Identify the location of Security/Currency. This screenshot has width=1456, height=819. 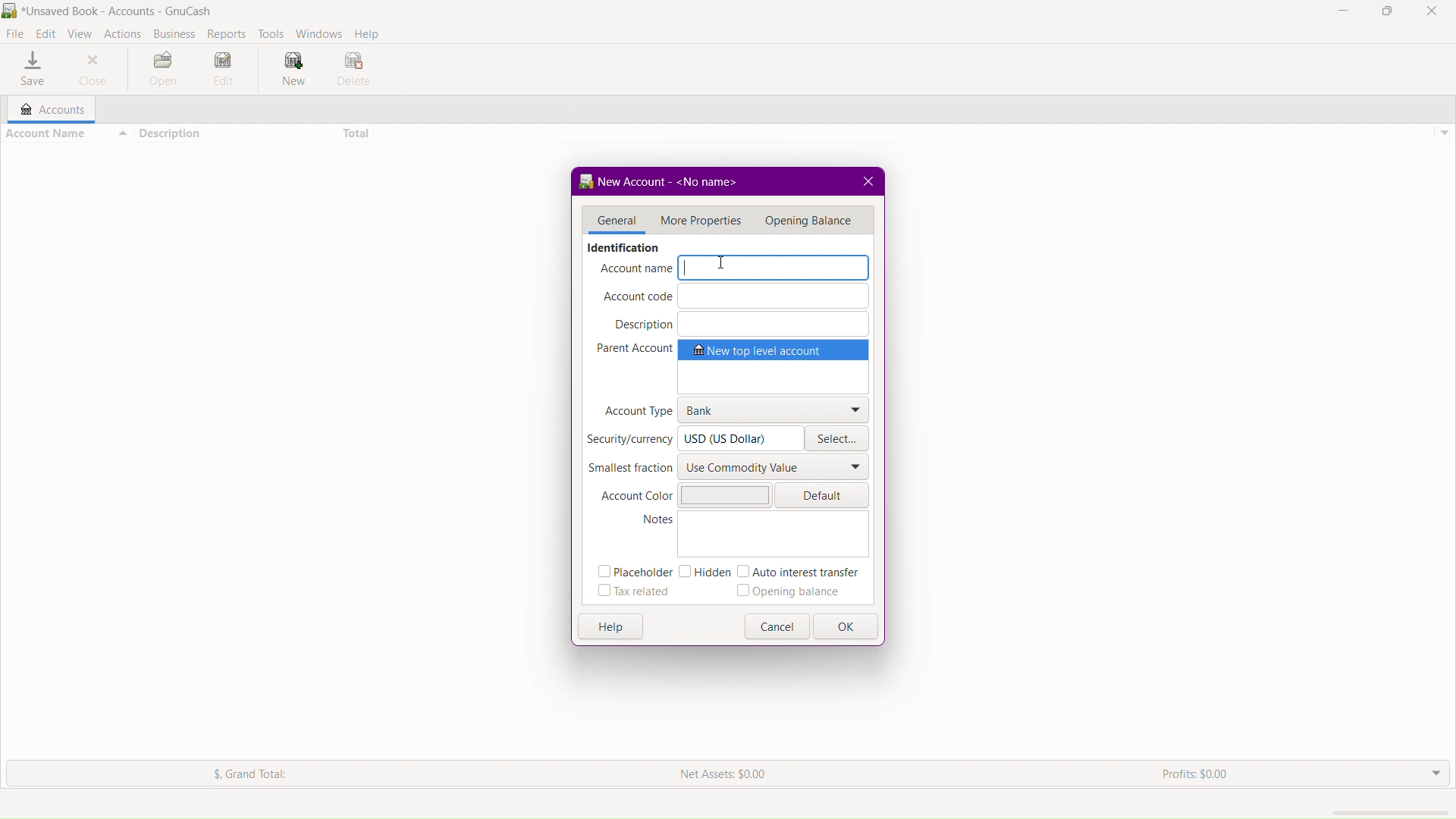
(693, 438).